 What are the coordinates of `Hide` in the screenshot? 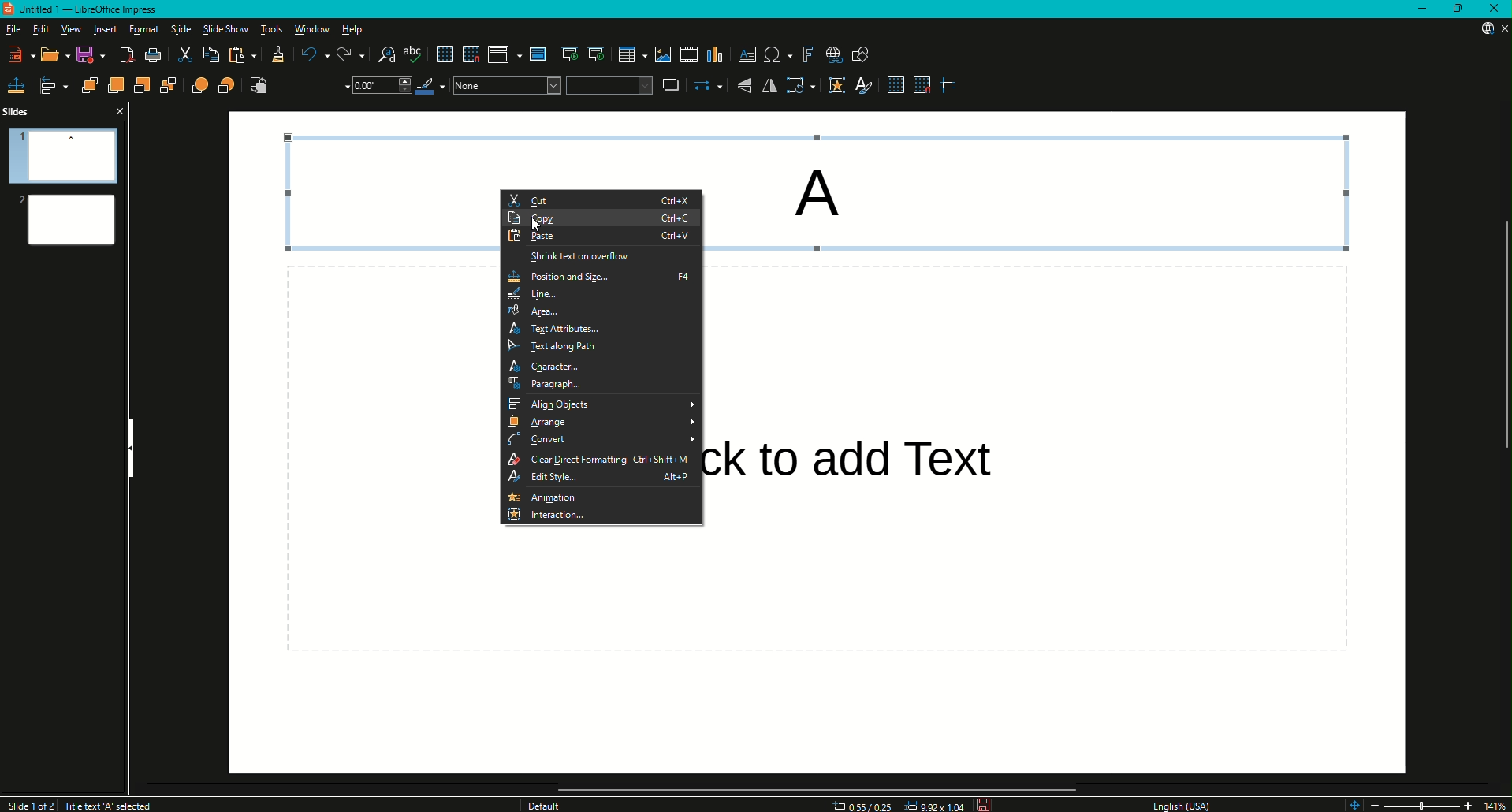 It's located at (132, 442).